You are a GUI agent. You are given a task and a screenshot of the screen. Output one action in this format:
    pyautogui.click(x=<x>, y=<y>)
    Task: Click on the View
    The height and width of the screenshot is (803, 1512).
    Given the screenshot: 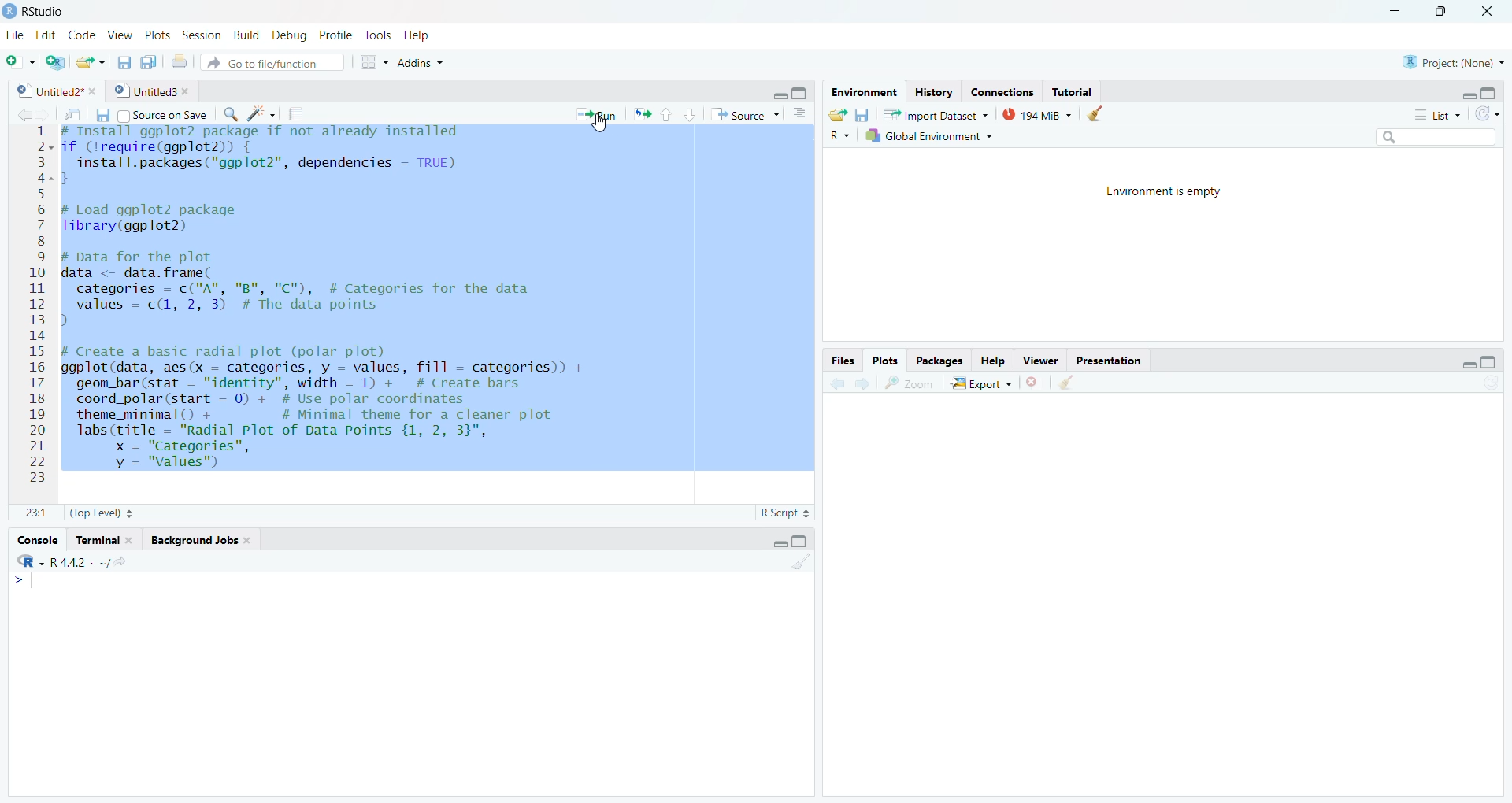 What is the action you would take?
    pyautogui.click(x=117, y=36)
    